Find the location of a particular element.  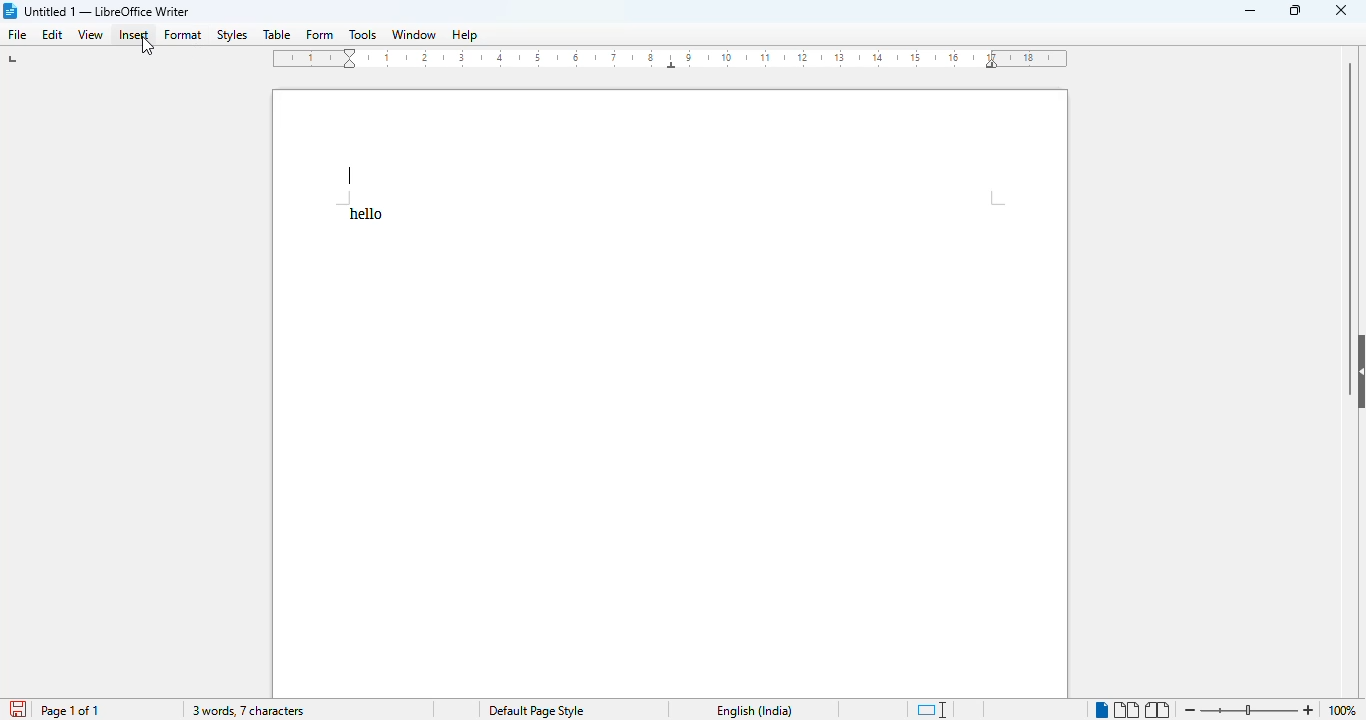

text language is located at coordinates (755, 711).